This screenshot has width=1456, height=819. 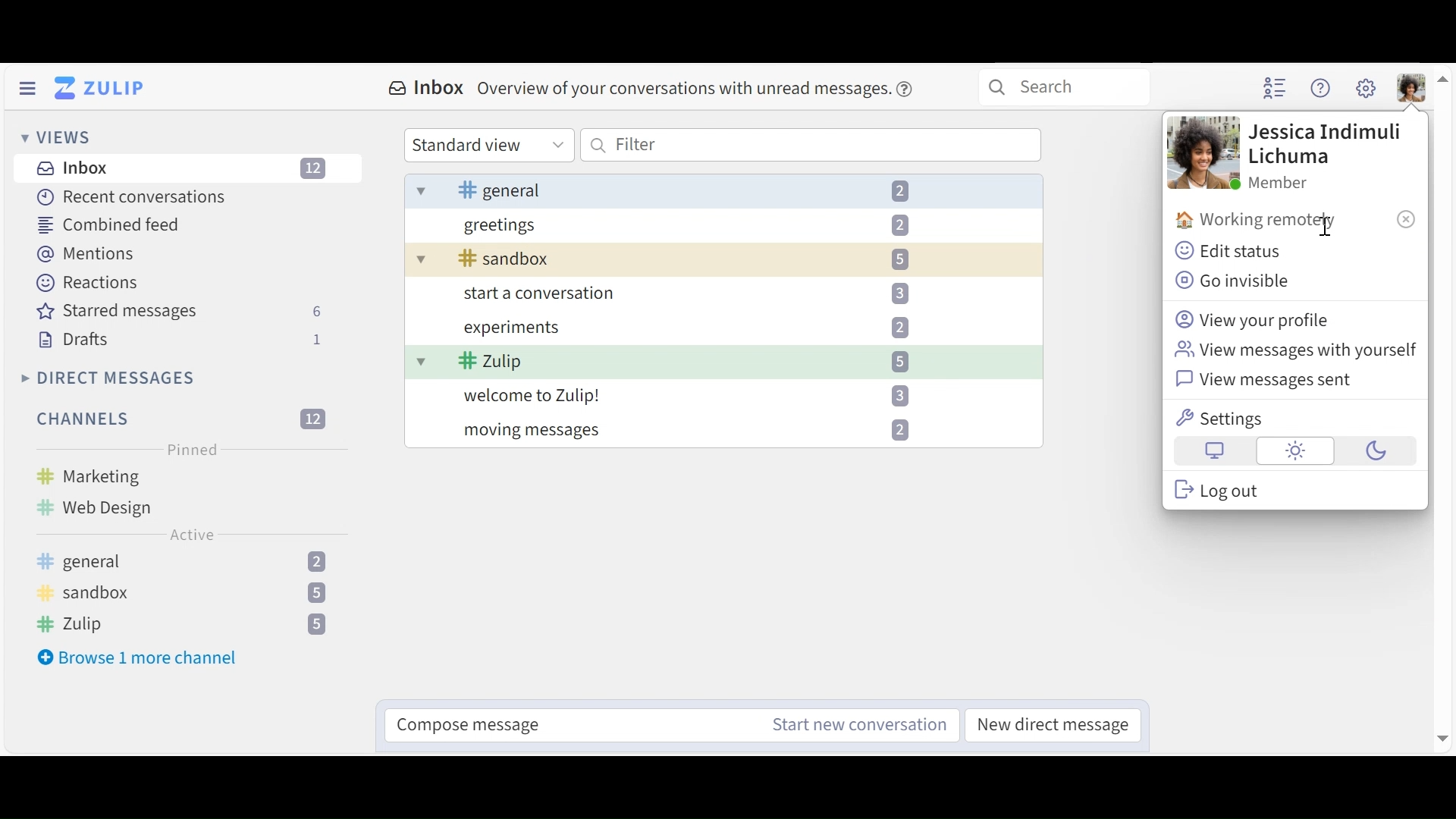 I want to click on # sandbox, so click(x=184, y=594).